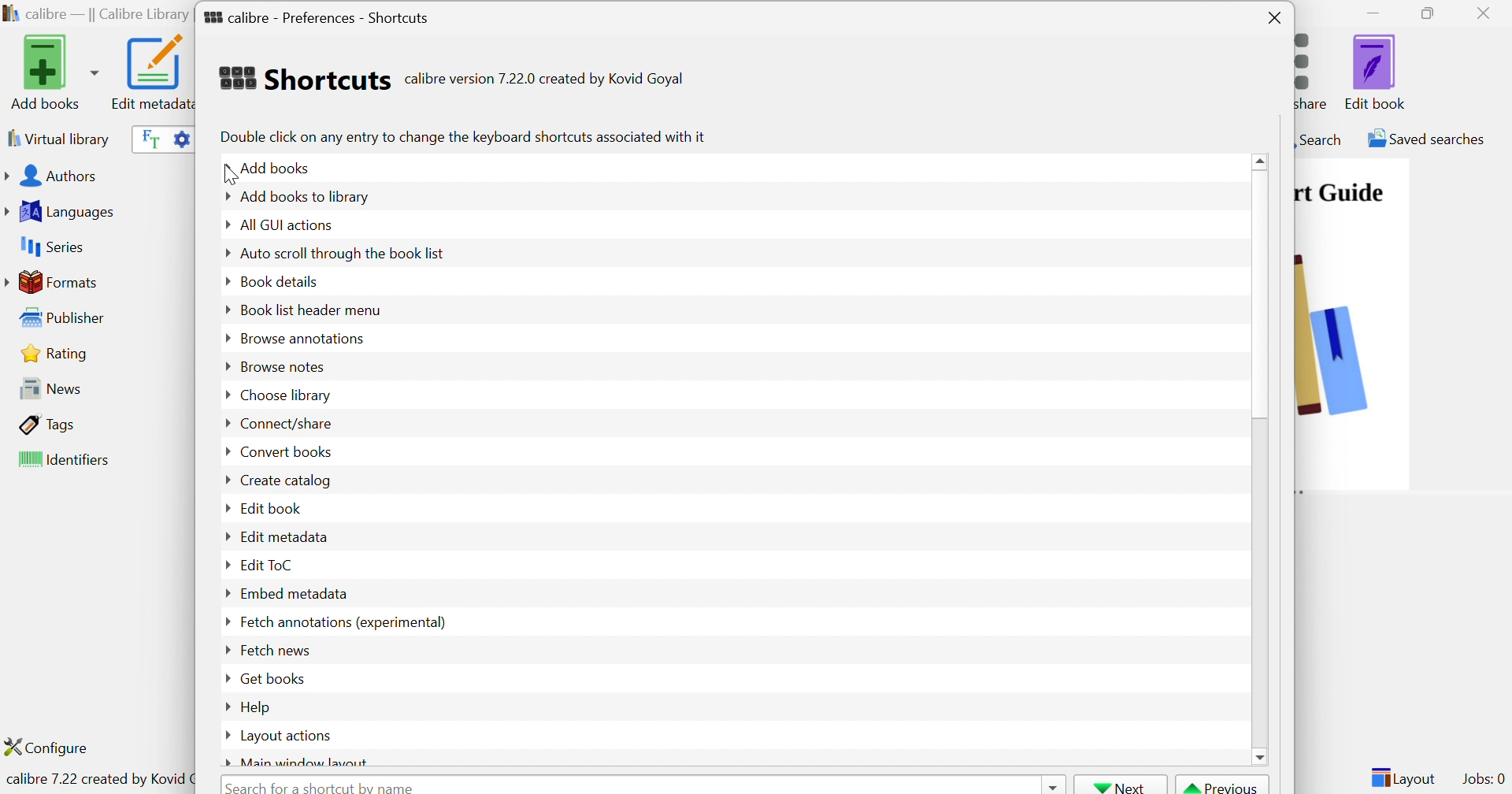  What do you see at coordinates (225, 451) in the screenshot?
I see `Drop Down` at bounding box center [225, 451].